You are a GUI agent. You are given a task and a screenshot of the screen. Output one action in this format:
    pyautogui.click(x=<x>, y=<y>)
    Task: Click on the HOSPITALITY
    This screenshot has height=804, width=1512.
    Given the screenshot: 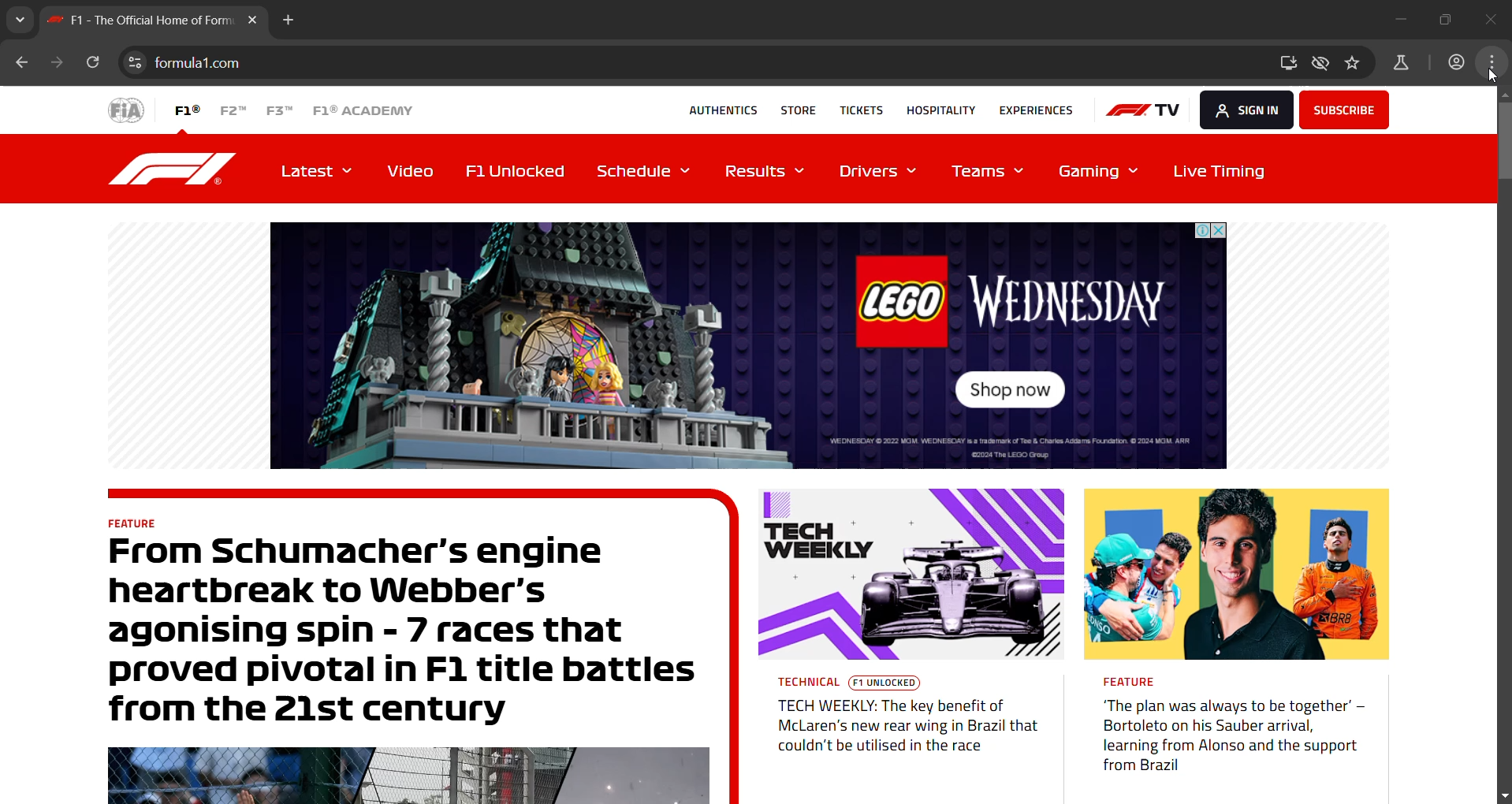 What is the action you would take?
    pyautogui.click(x=938, y=109)
    